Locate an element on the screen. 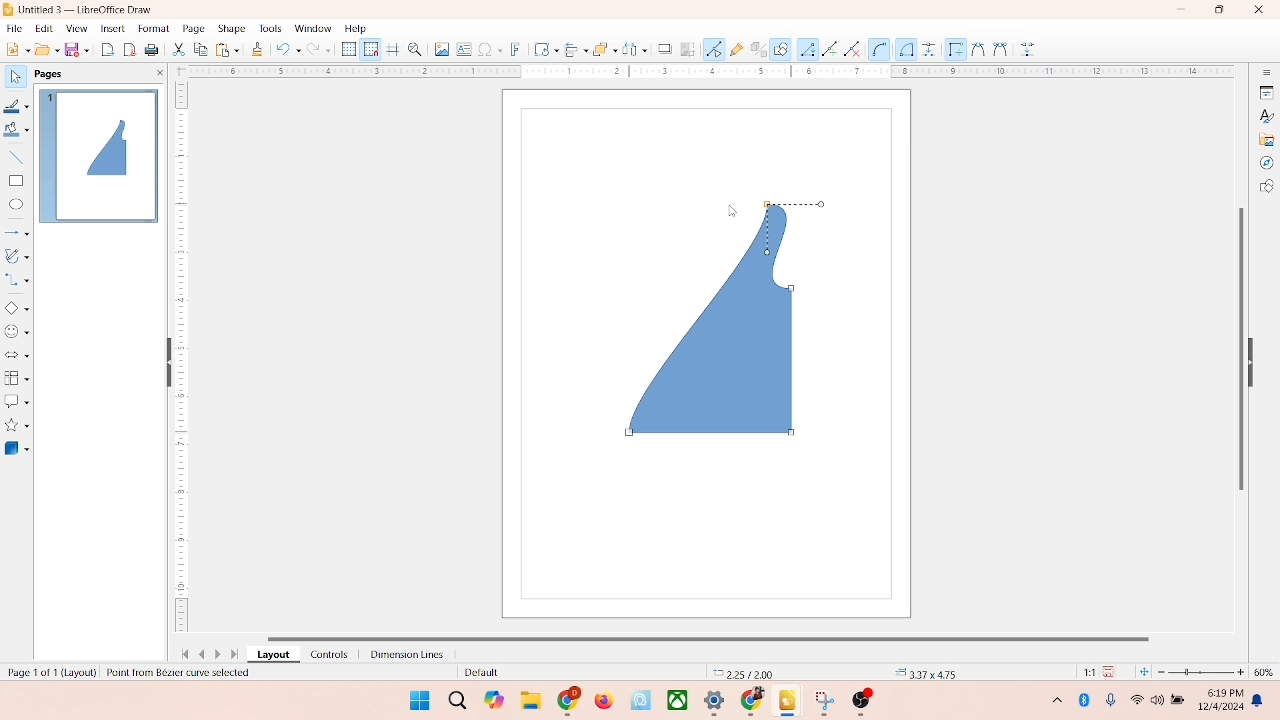 Image resolution: width=1280 pixels, height=720 pixels. close is located at coordinates (156, 73).